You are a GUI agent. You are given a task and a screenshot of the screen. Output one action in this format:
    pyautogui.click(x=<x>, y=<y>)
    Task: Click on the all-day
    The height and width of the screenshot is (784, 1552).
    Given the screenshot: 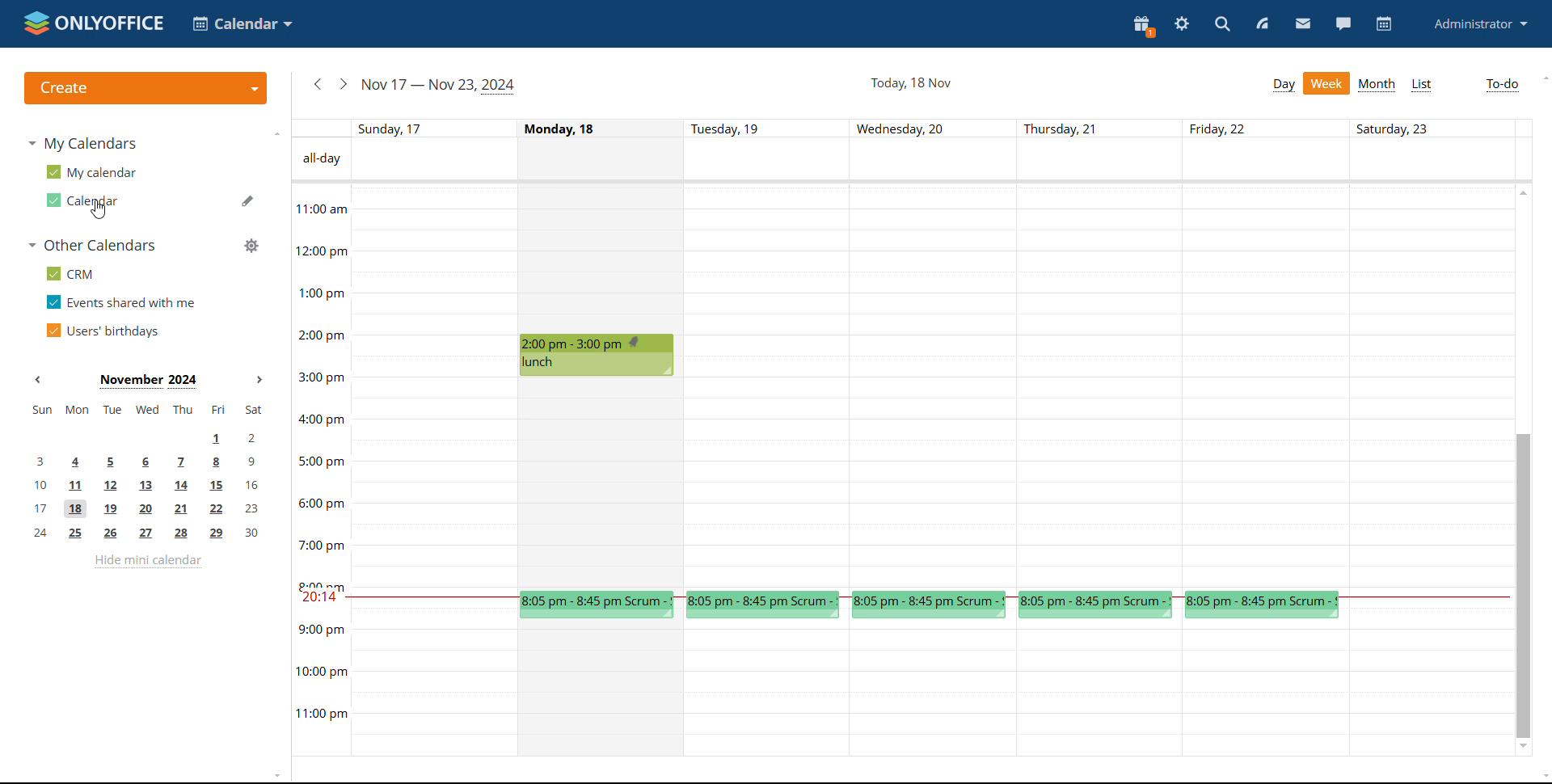 What is the action you would take?
    pyautogui.click(x=322, y=159)
    